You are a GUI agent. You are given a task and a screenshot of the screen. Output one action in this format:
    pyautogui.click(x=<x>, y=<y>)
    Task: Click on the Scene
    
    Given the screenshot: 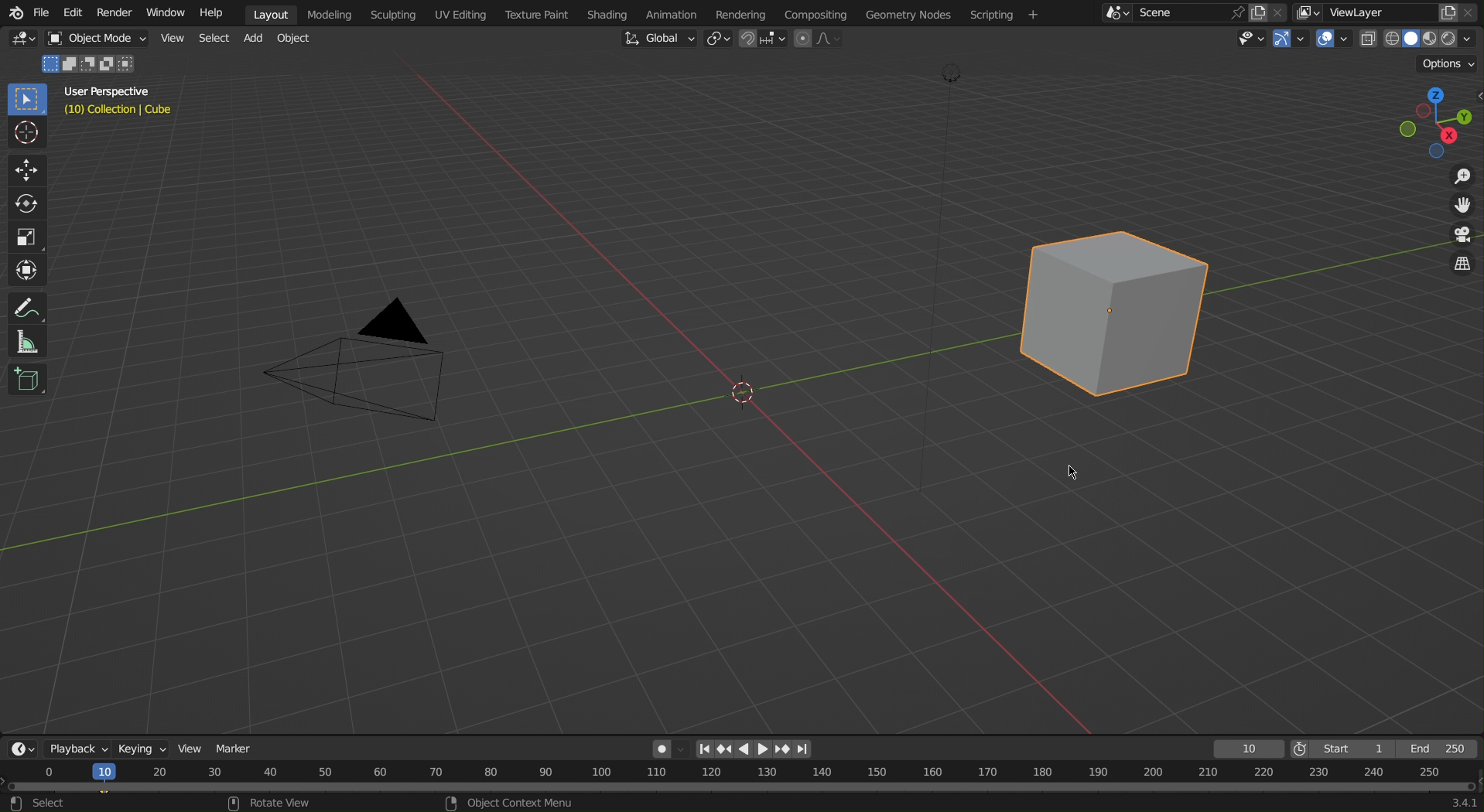 What is the action you would take?
    pyautogui.click(x=1171, y=13)
    